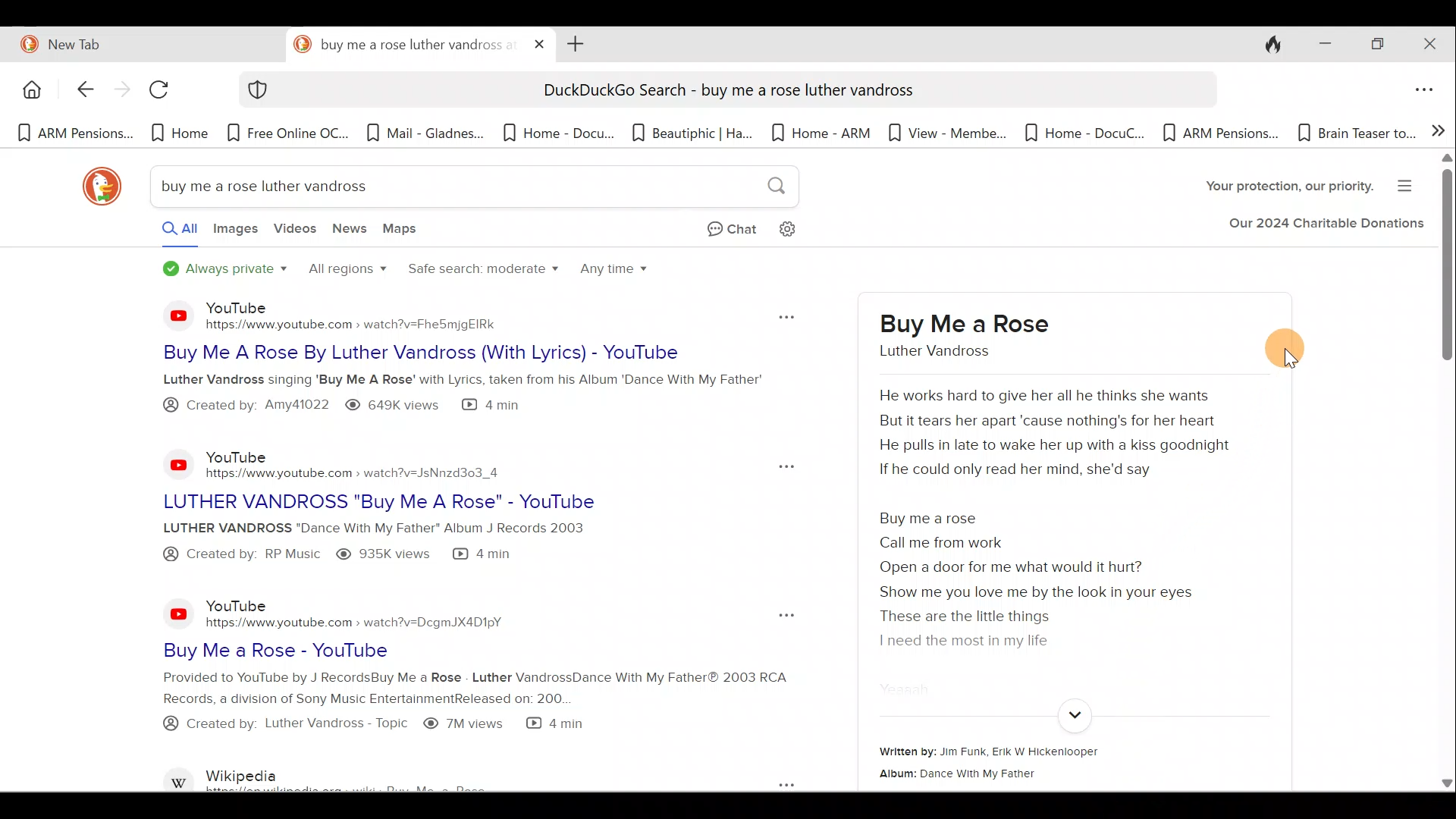 The image size is (1456, 819). What do you see at coordinates (180, 133) in the screenshot?
I see `Bookmark 2` at bounding box center [180, 133].